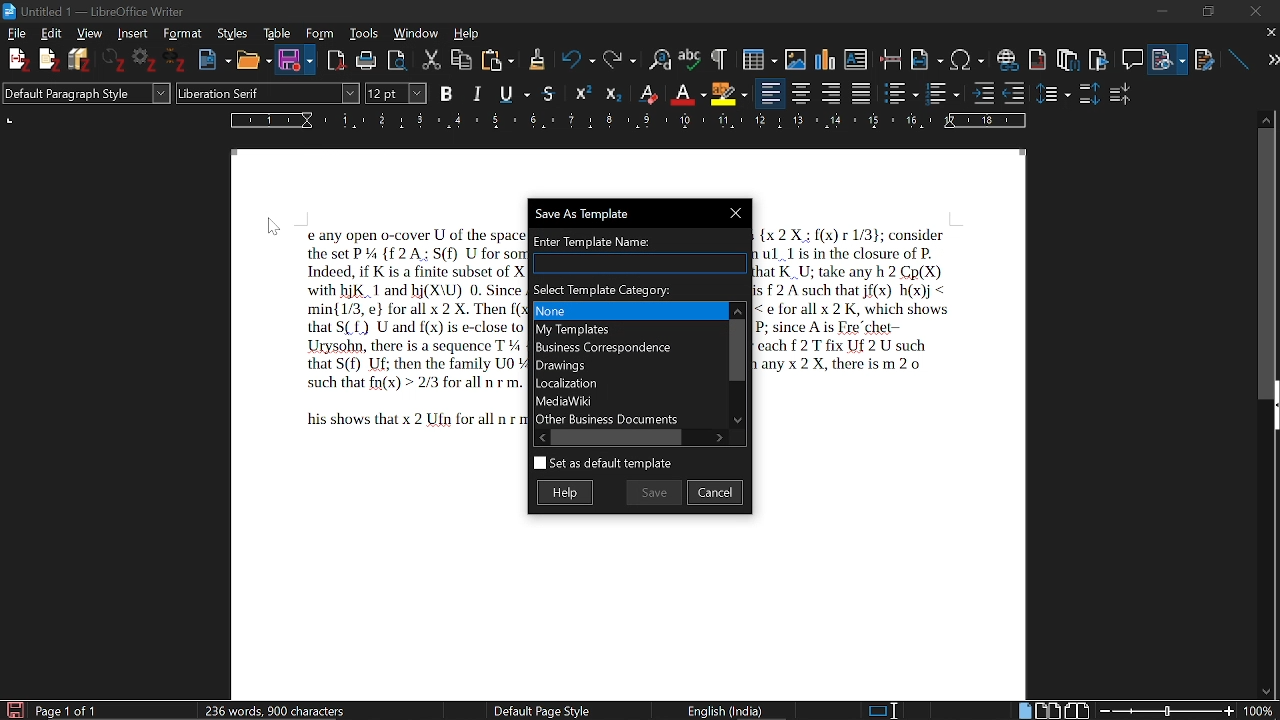 The width and height of the screenshot is (1280, 720). I want to click on View, so click(87, 33).